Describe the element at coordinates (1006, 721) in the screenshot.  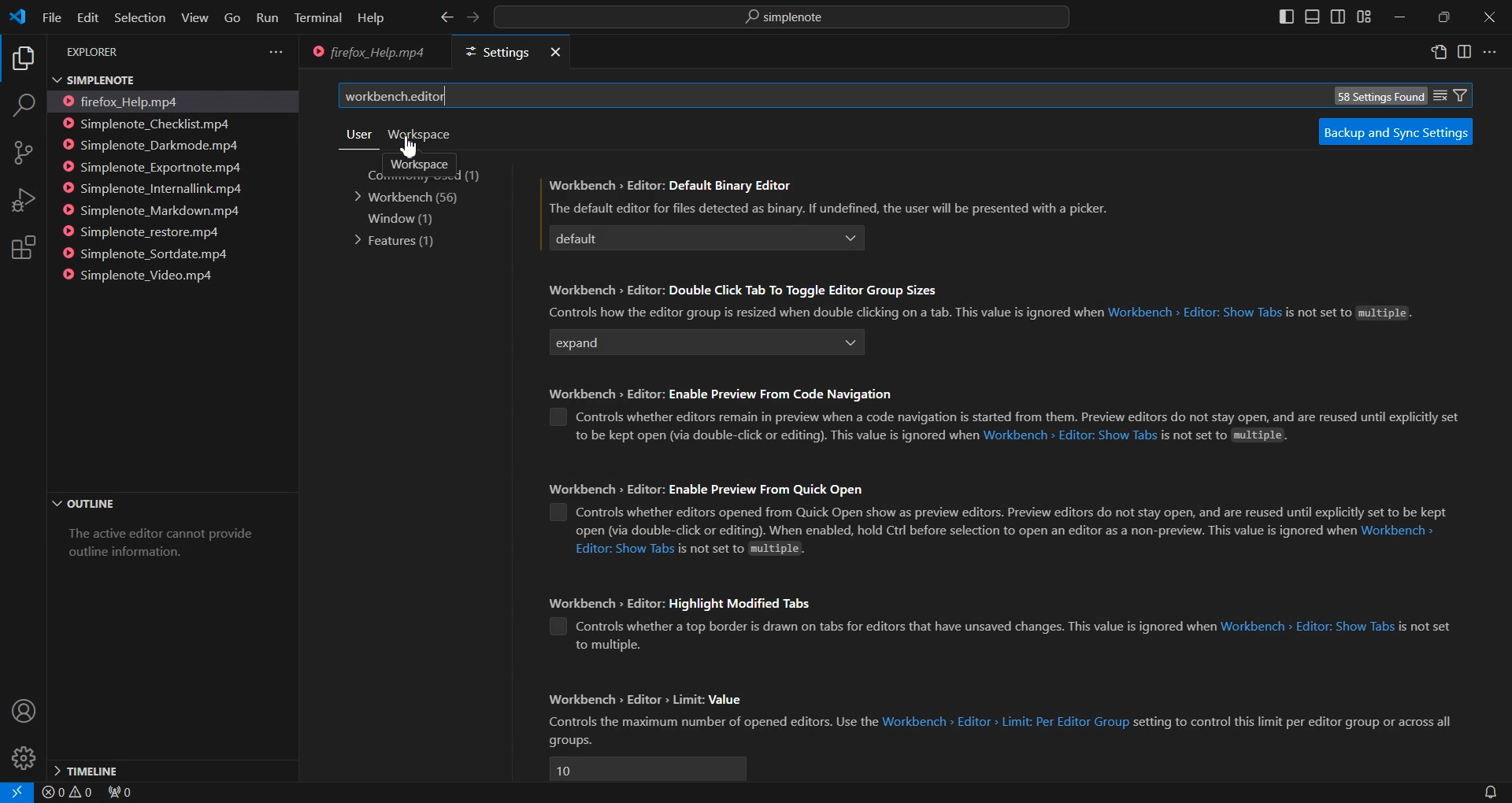
I see `Hyperlink file address` at that location.